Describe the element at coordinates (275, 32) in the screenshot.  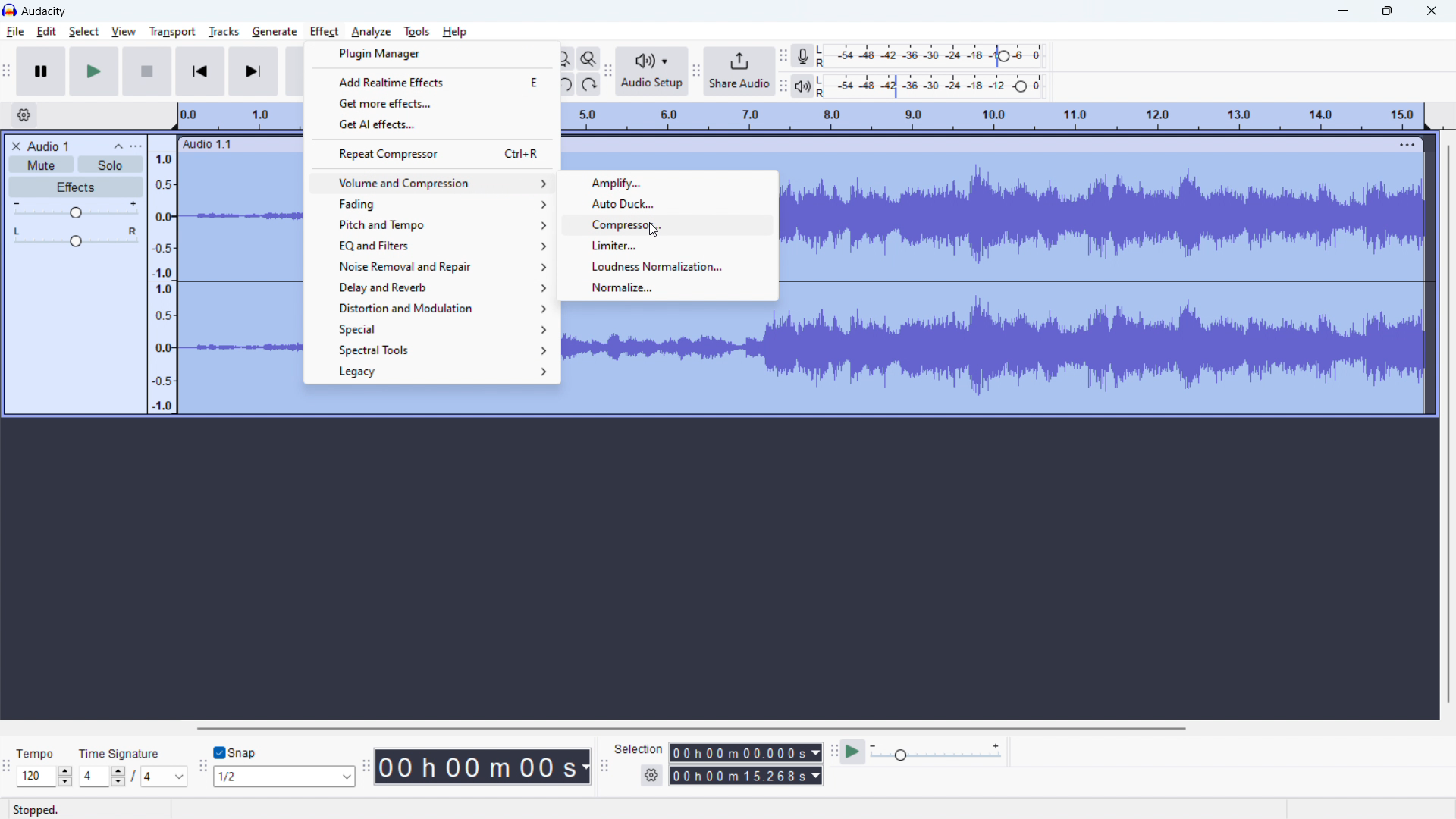
I see `generate` at that location.